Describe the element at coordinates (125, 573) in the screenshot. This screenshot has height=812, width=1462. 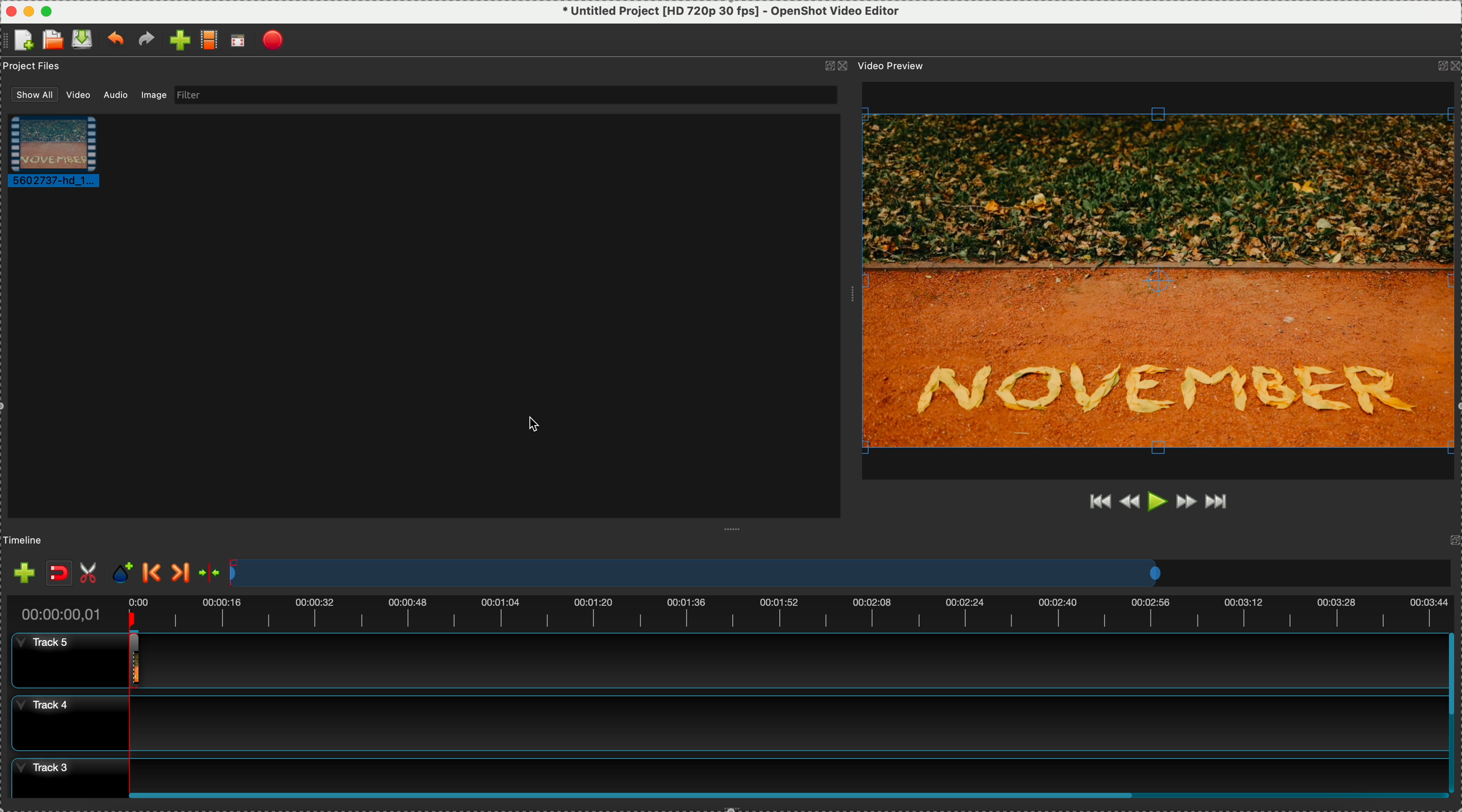
I see `add mark` at that location.